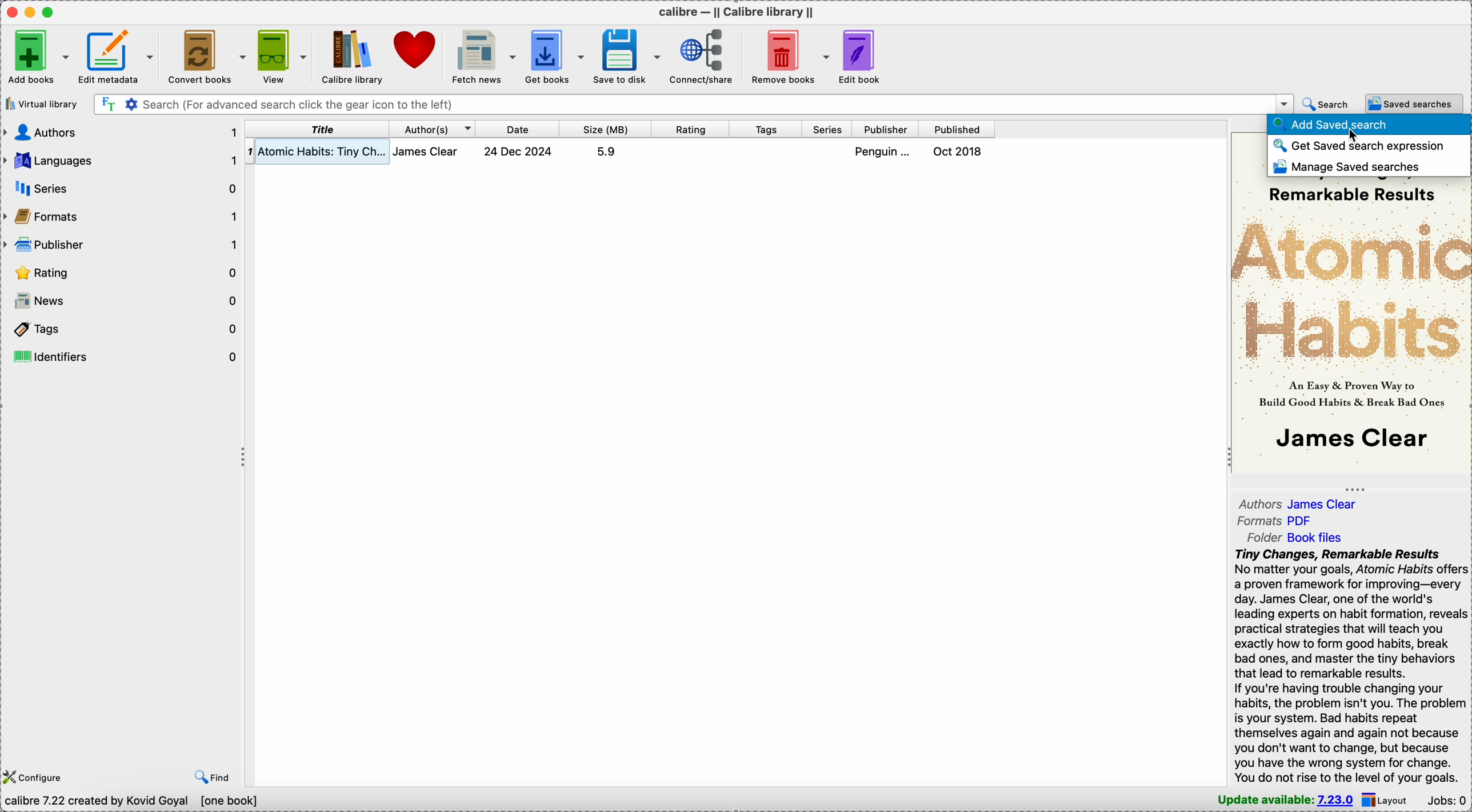 This screenshot has height=812, width=1472. I want to click on 5.9, so click(606, 151).